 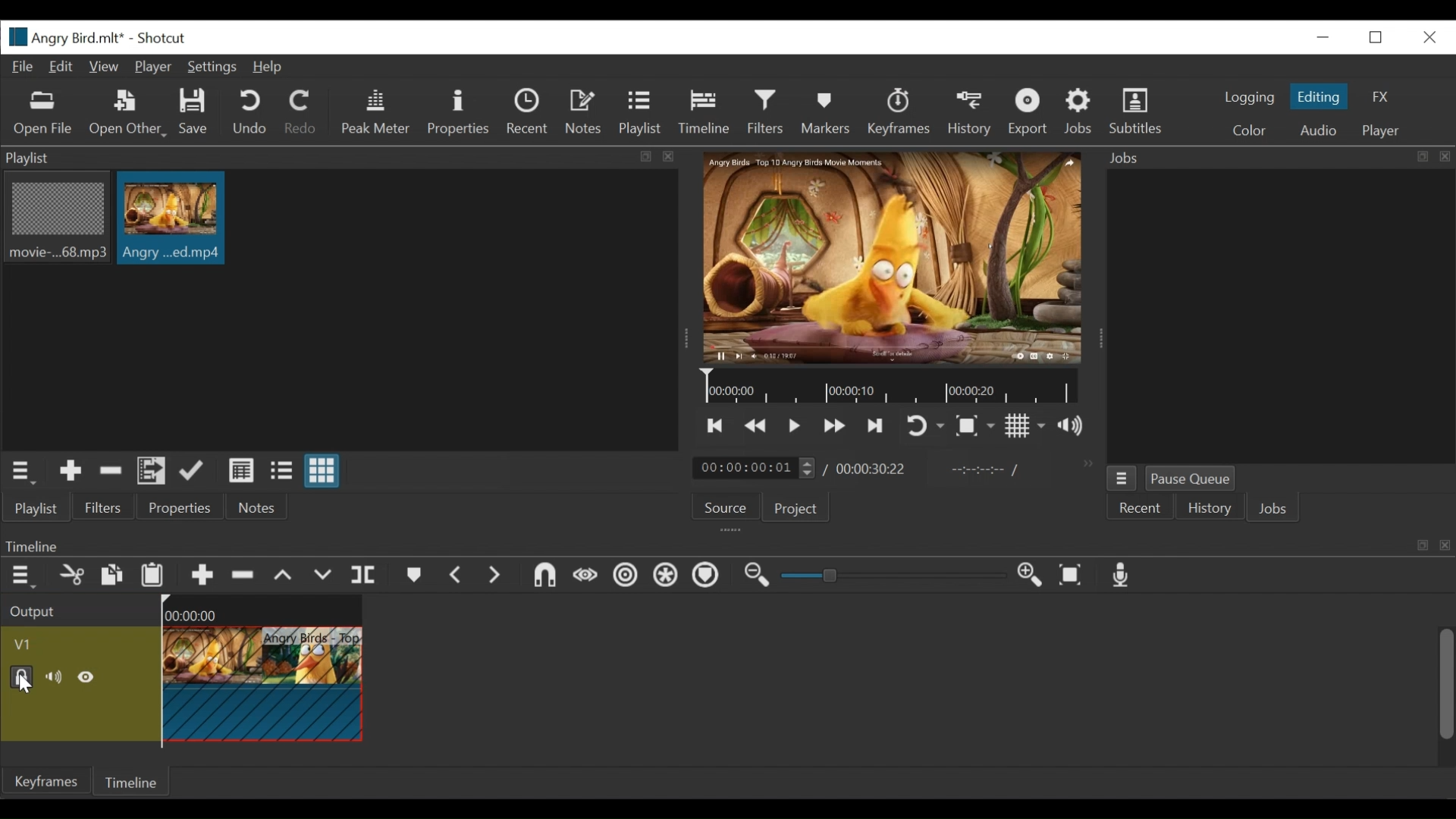 What do you see at coordinates (43, 115) in the screenshot?
I see `Open File` at bounding box center [43, 115].